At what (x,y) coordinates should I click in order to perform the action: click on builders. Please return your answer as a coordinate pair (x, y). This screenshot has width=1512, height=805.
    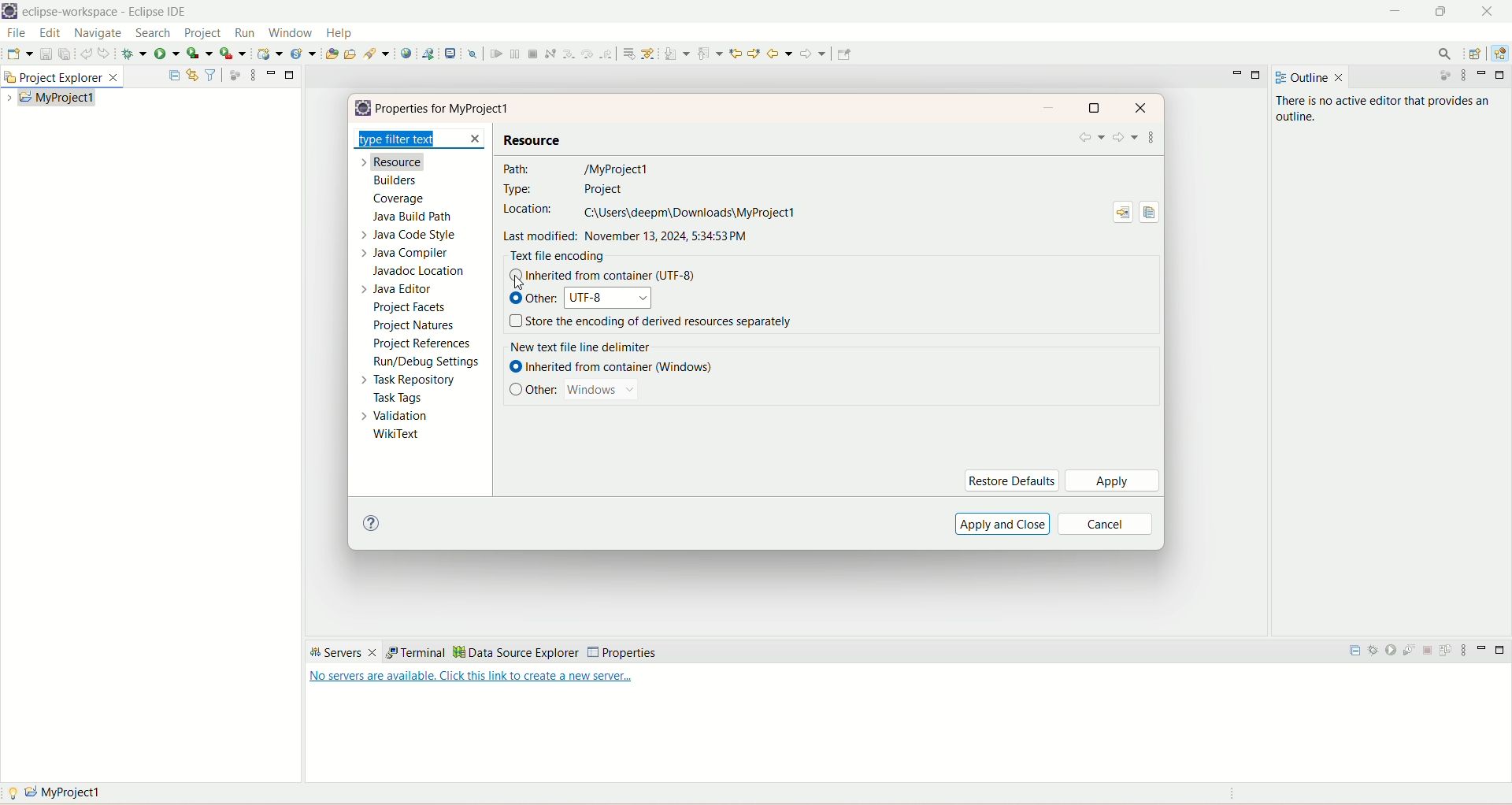
    Looking at the image, I should click on (395, 181).